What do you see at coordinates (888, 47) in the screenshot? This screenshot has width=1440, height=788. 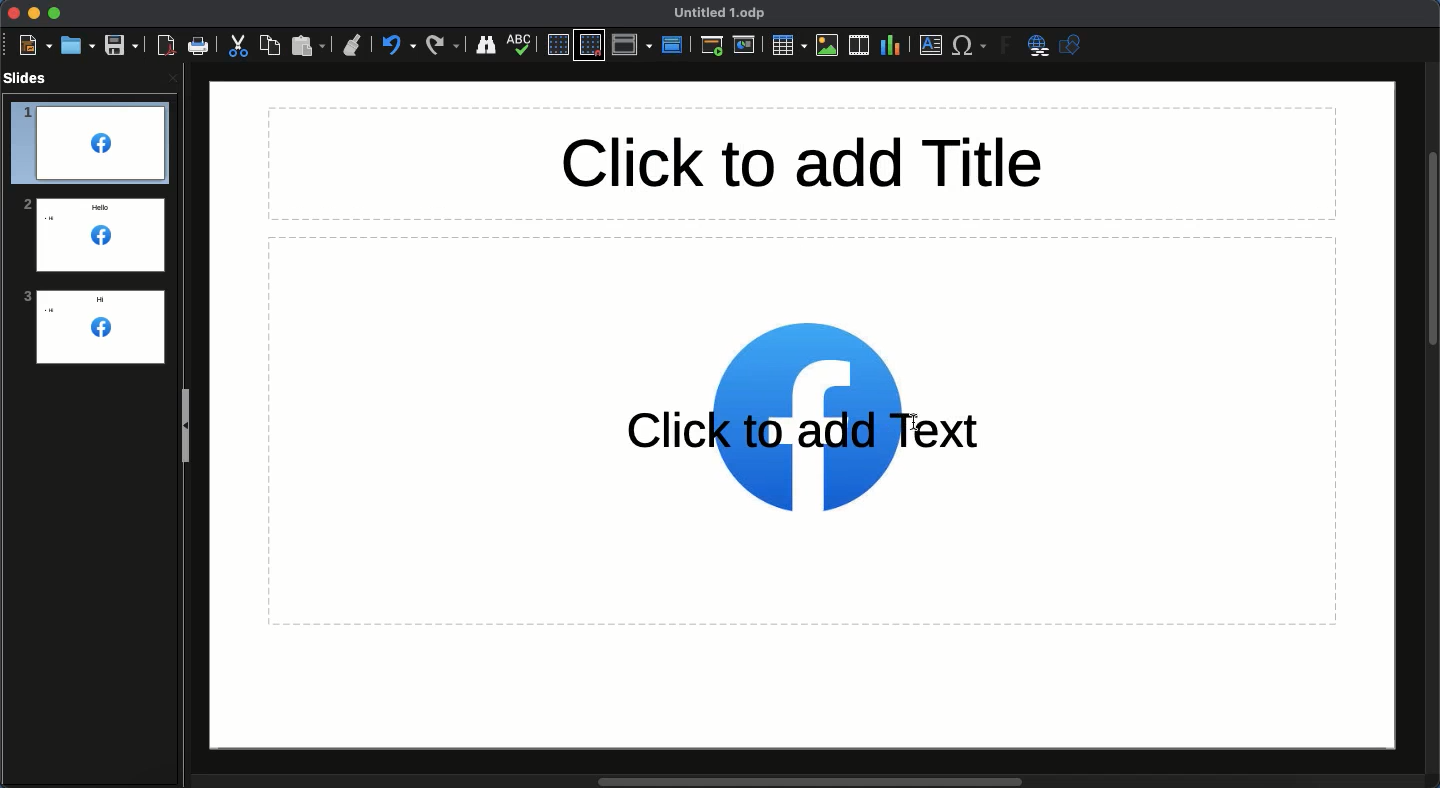 I see `Chart` at bounding box center [888, 47].